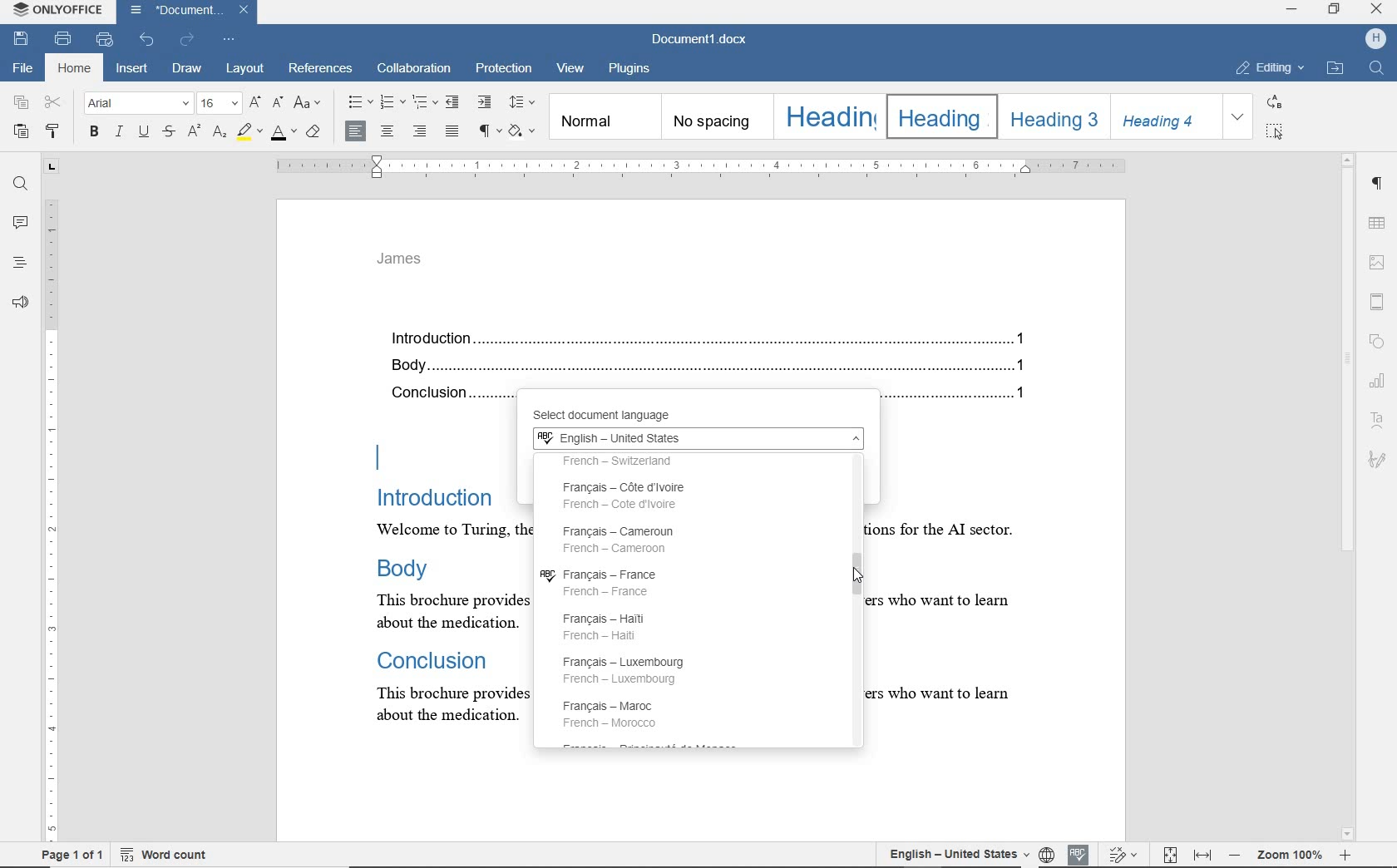 The height and width of the screenshot is (868, 1397). Describe the element at coordinates (219, 132) in the screenshot. I see `subscript` at that location.